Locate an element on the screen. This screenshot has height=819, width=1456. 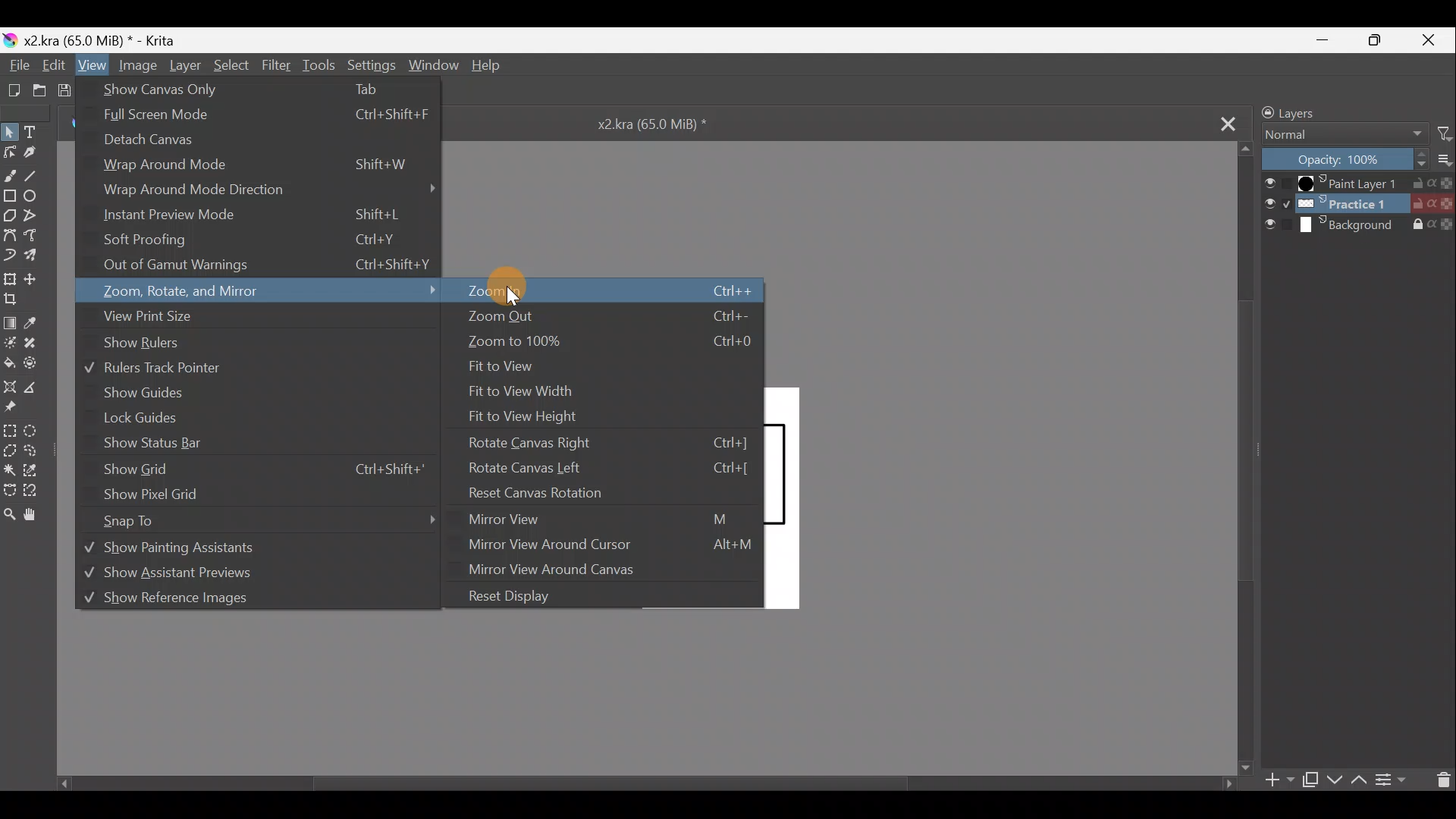
Multibrush tool is located at coordinates (39, 257).